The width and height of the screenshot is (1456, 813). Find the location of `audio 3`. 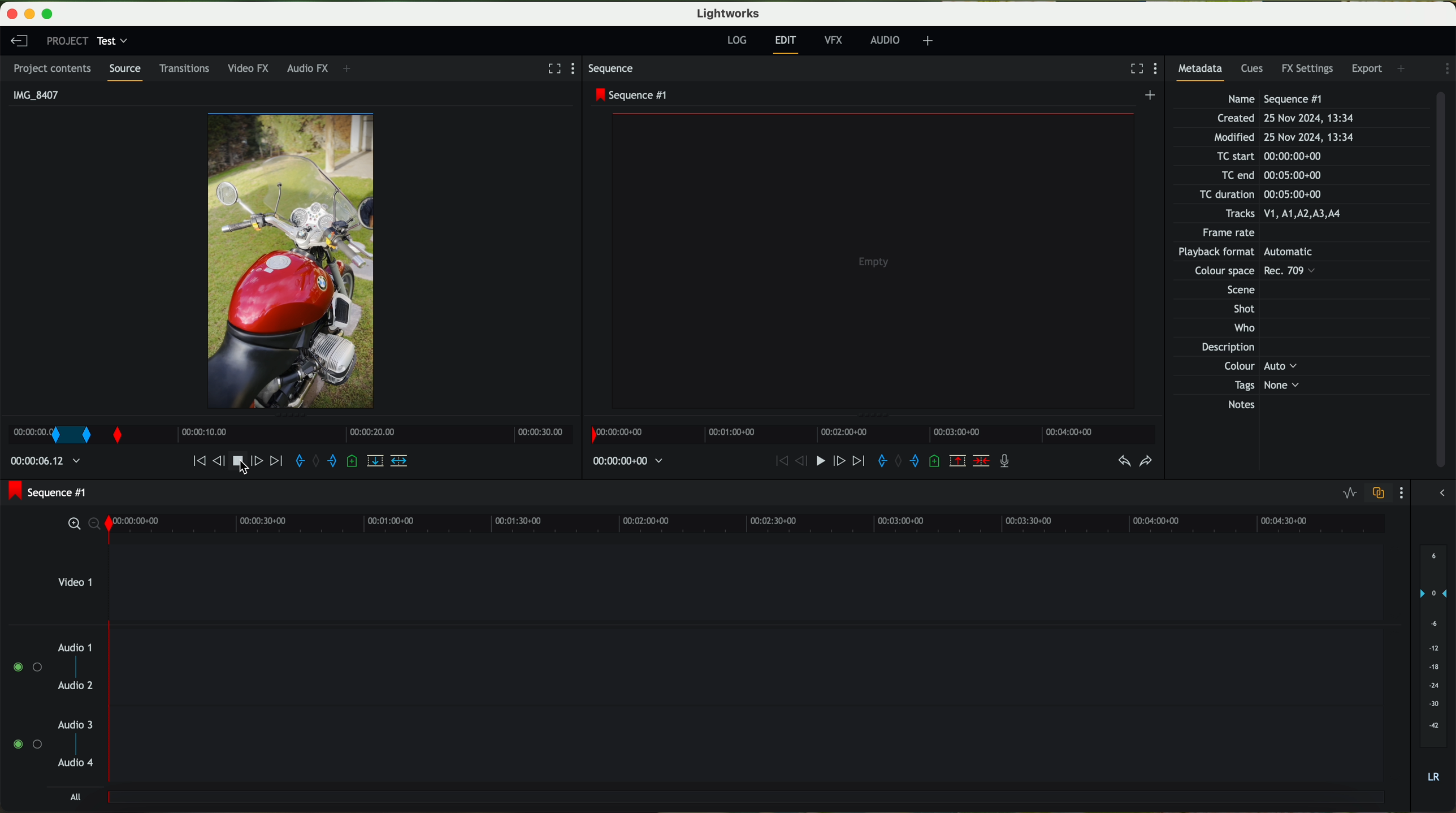

audio 3 is located at coordinates (76, 724).